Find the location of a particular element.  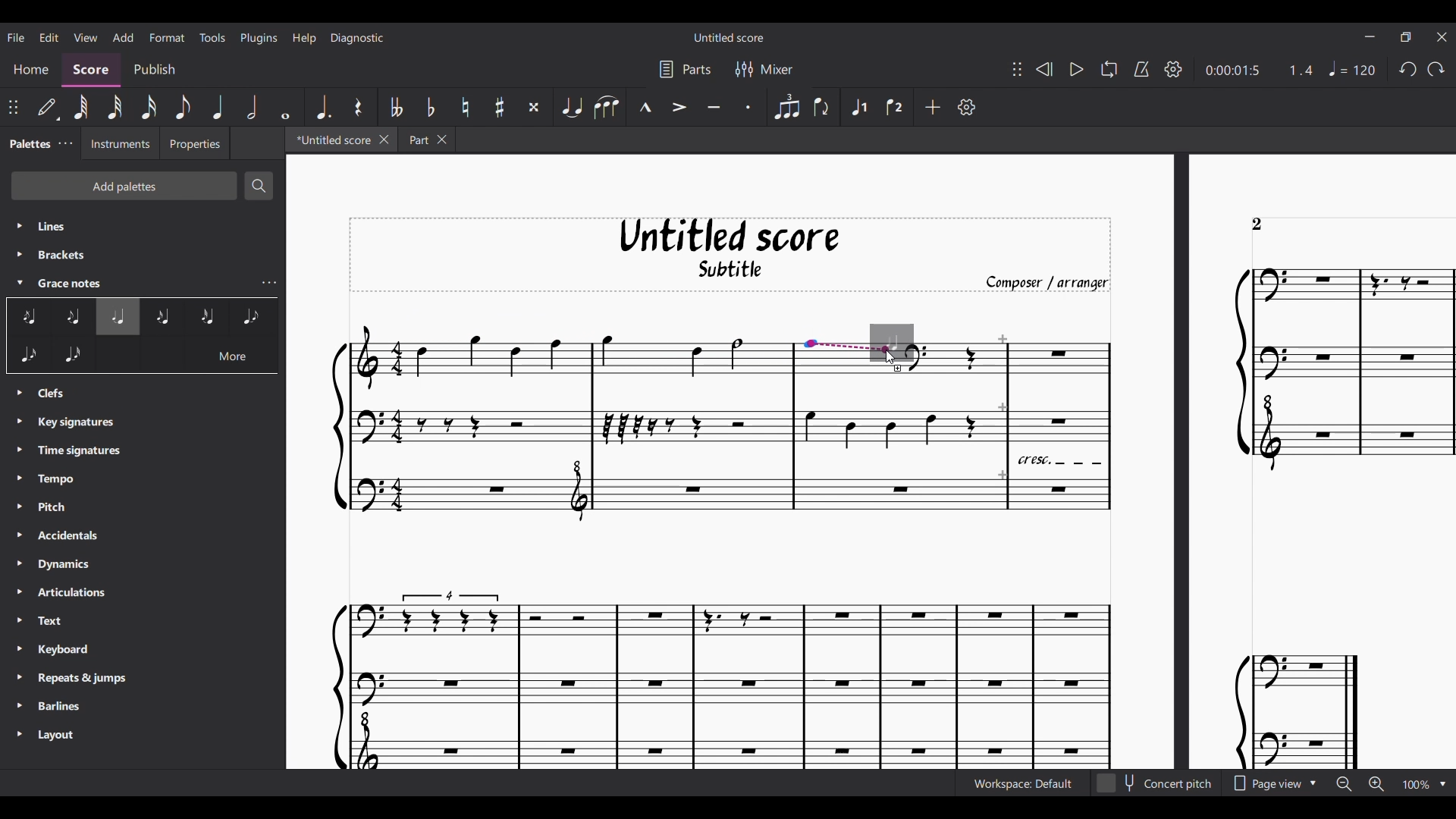

Instruments tab is located at coordinates (120, 143).